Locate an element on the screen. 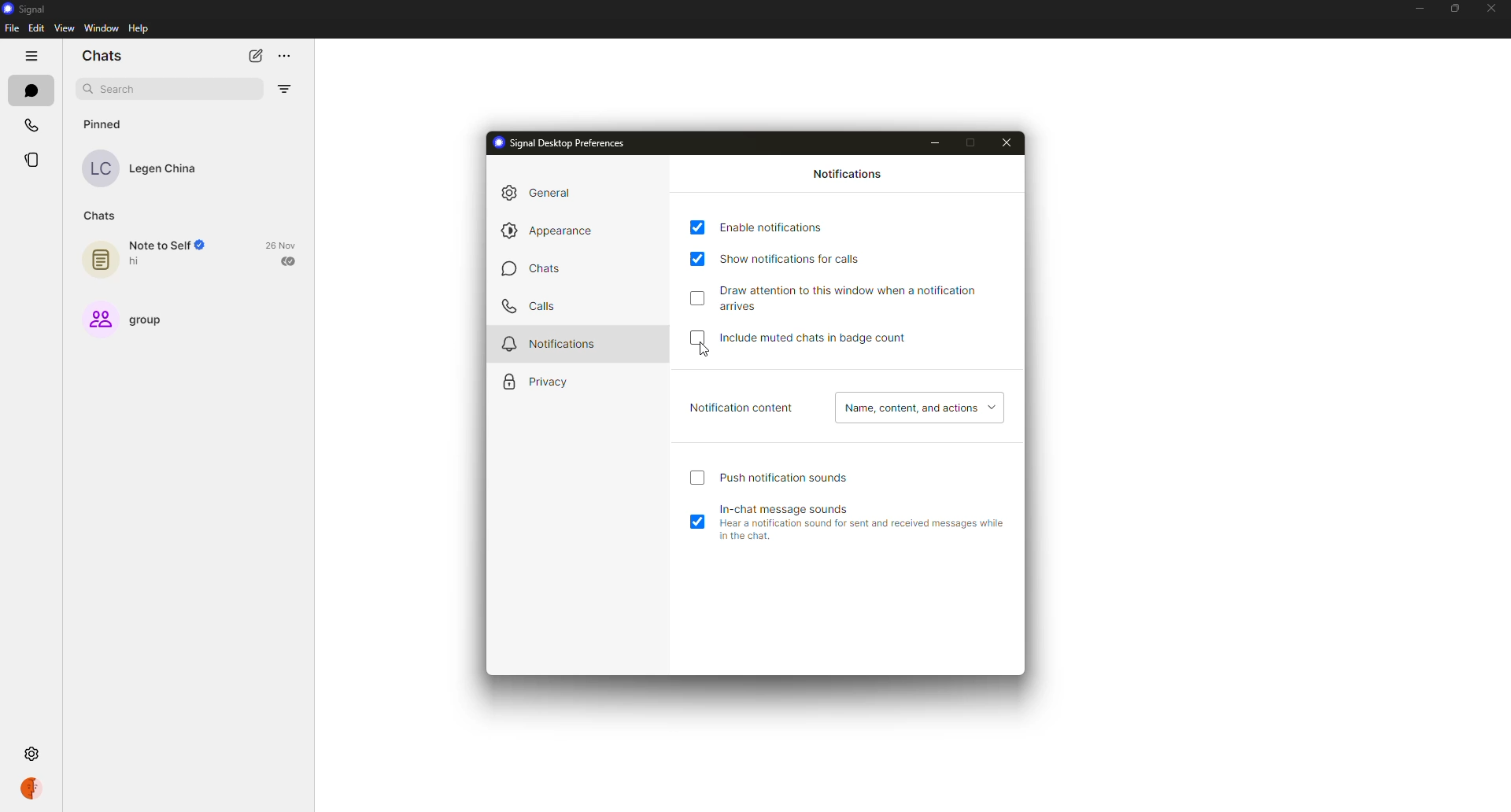  maximize is located at coordinates (1453, 9).